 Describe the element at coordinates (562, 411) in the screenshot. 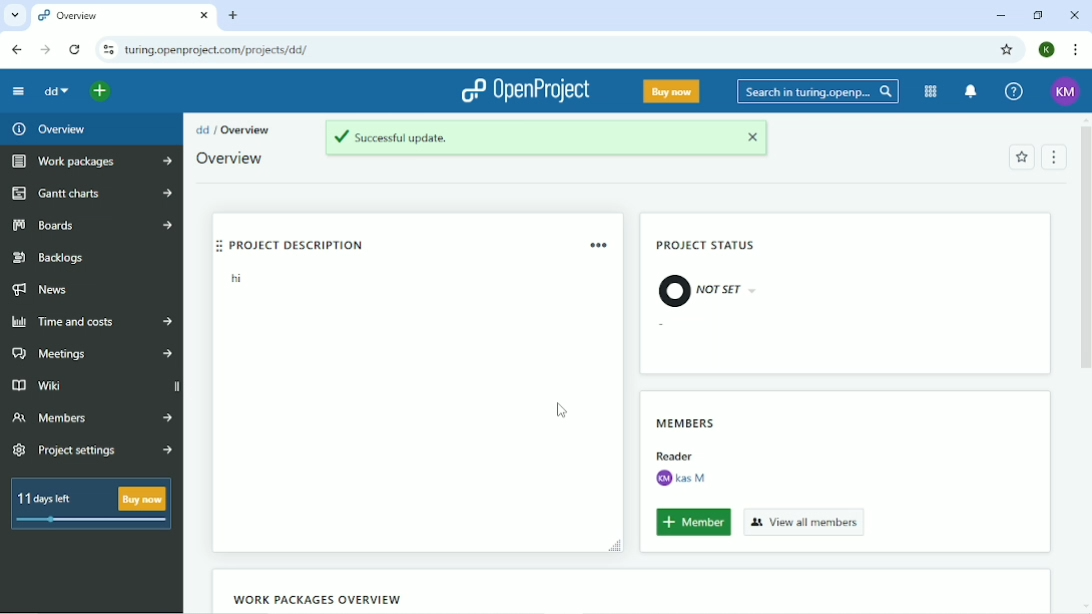

I see `Cursor` at that location.